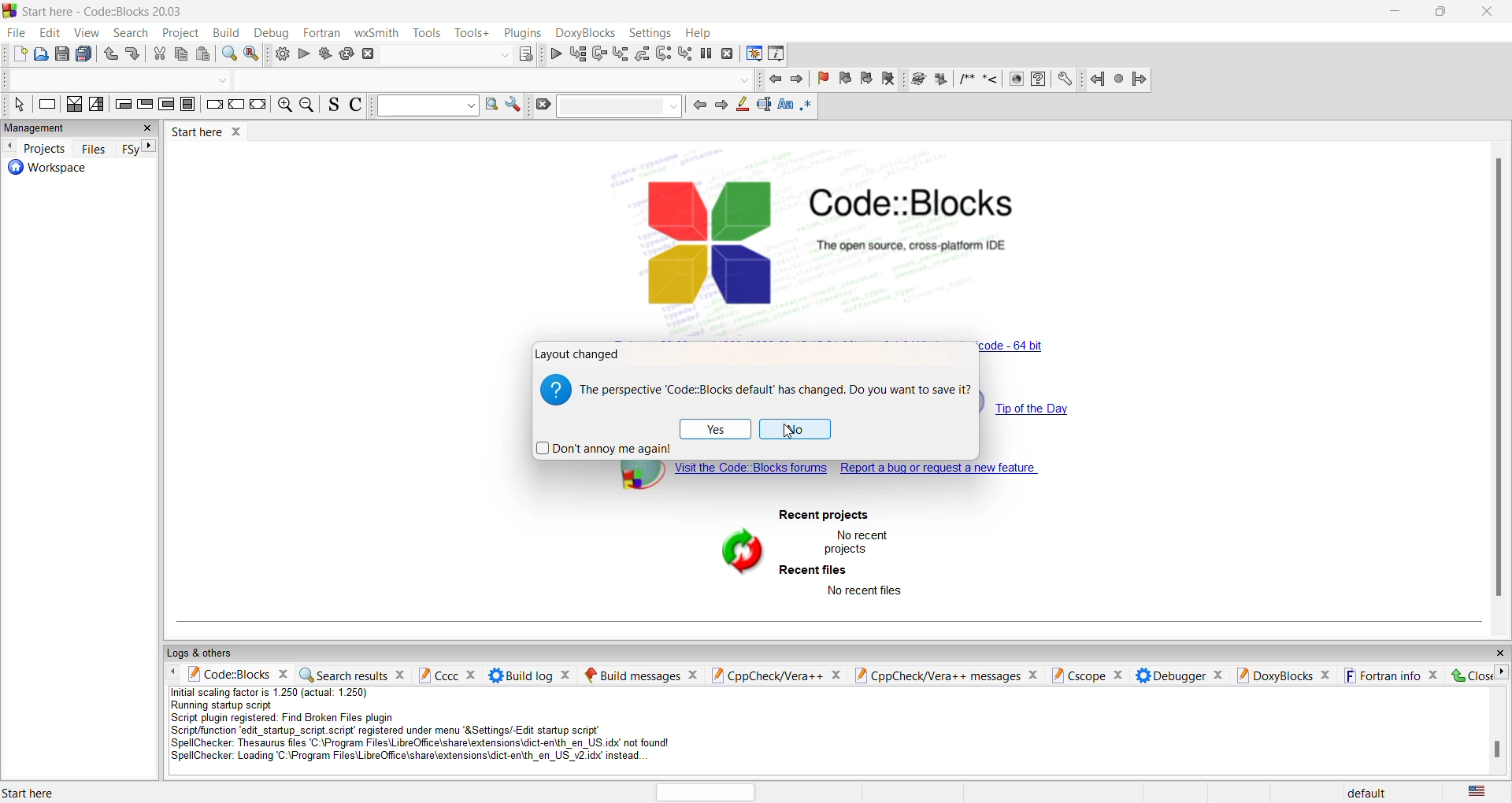  I want to click on move right, so click(1503, 672).